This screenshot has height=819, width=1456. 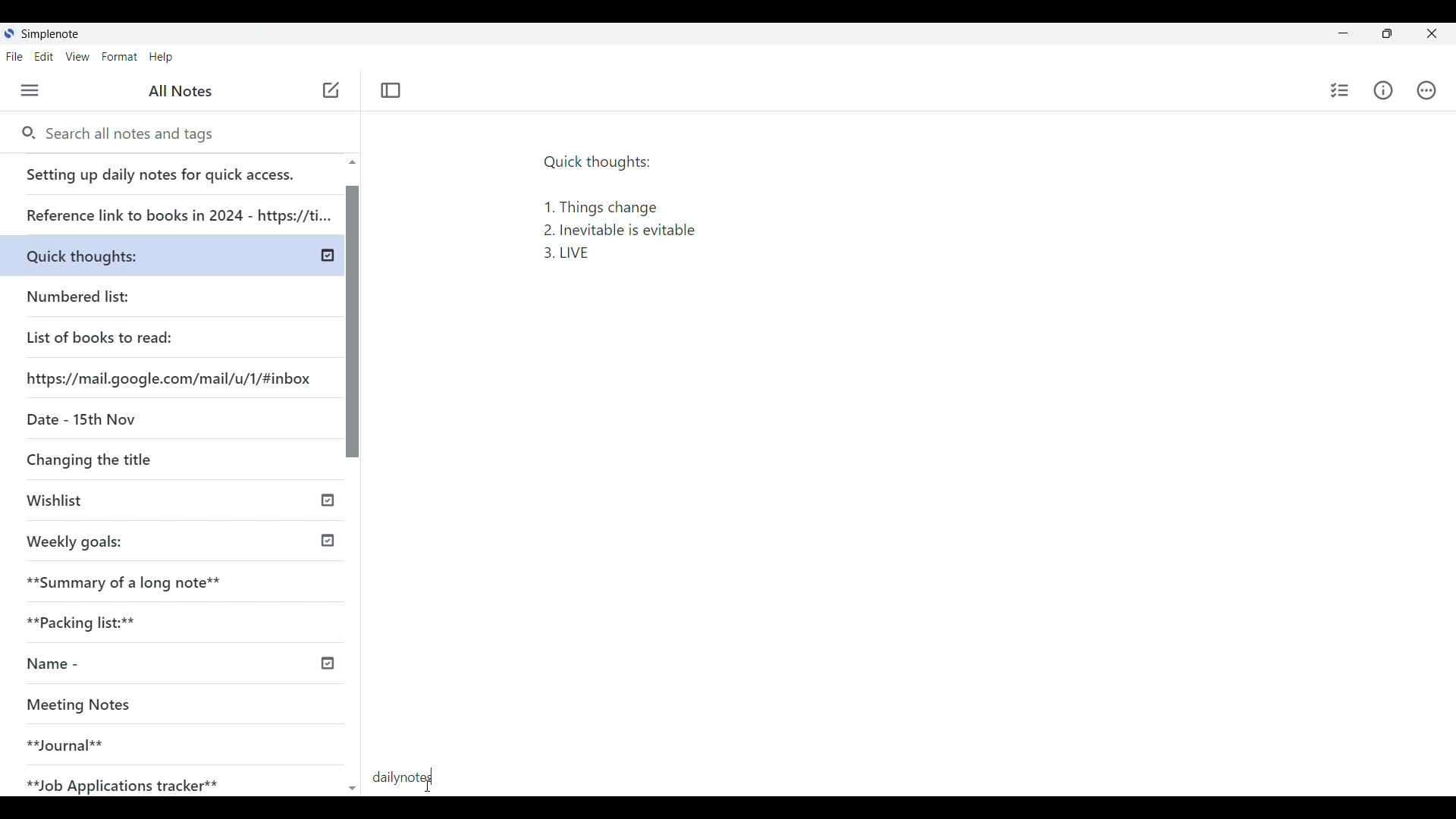 What do you see at coordinates (161, 57) in the screenshot?
I see `Help menu` at bounding box center [161, 57].